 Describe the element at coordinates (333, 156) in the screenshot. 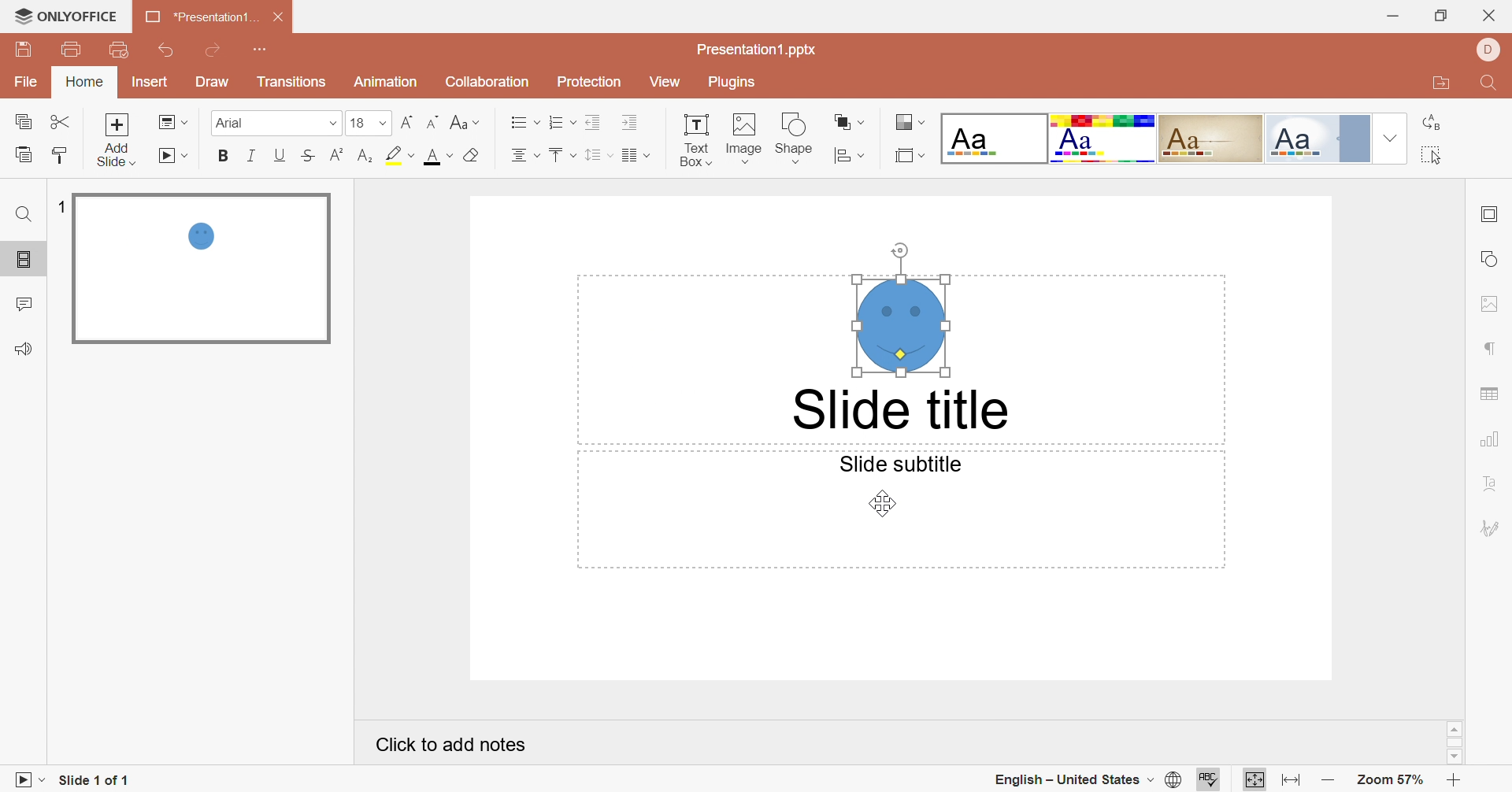

I see `Superscript` at that location.